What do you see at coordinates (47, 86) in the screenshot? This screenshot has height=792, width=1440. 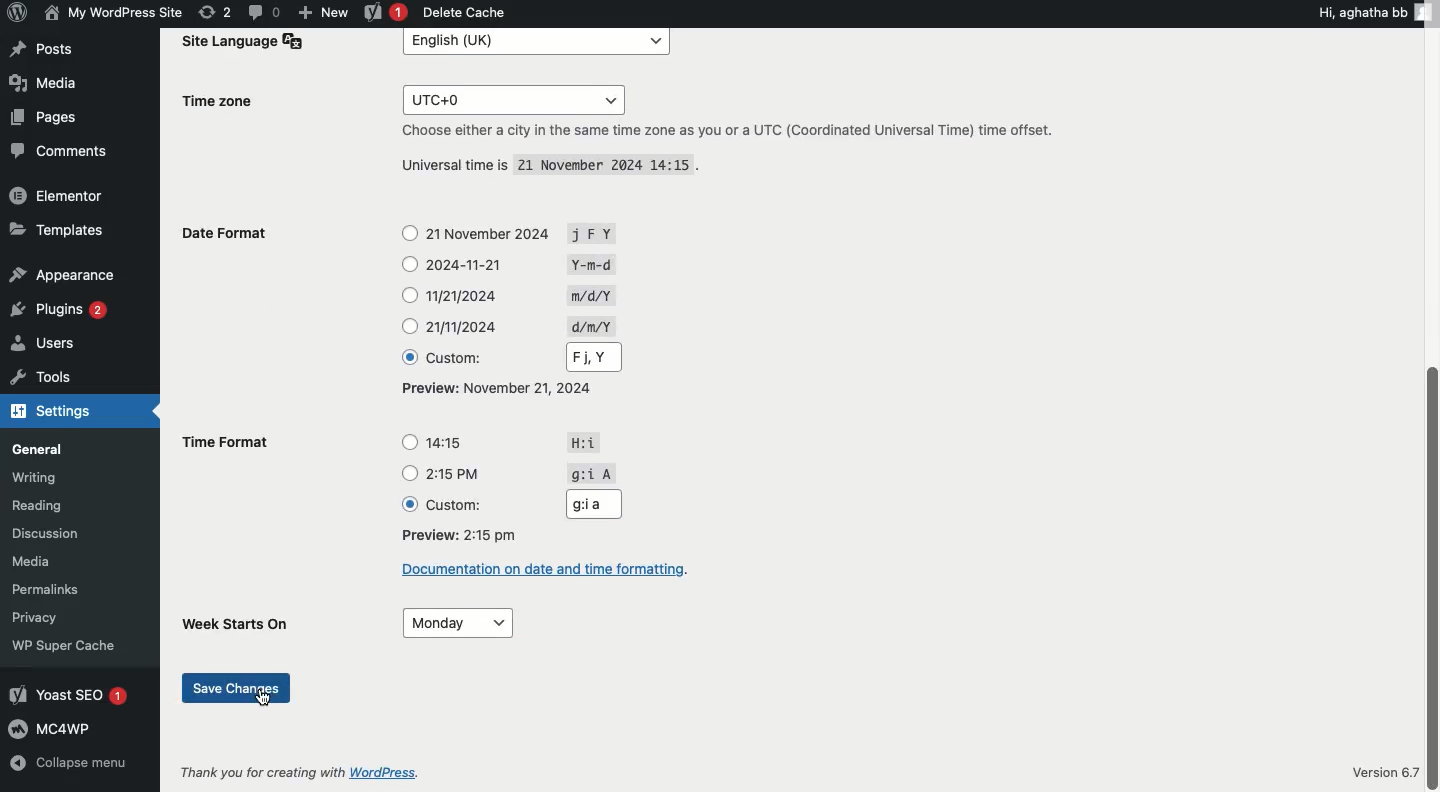 I see `Media` at bounding box center [47, 86].